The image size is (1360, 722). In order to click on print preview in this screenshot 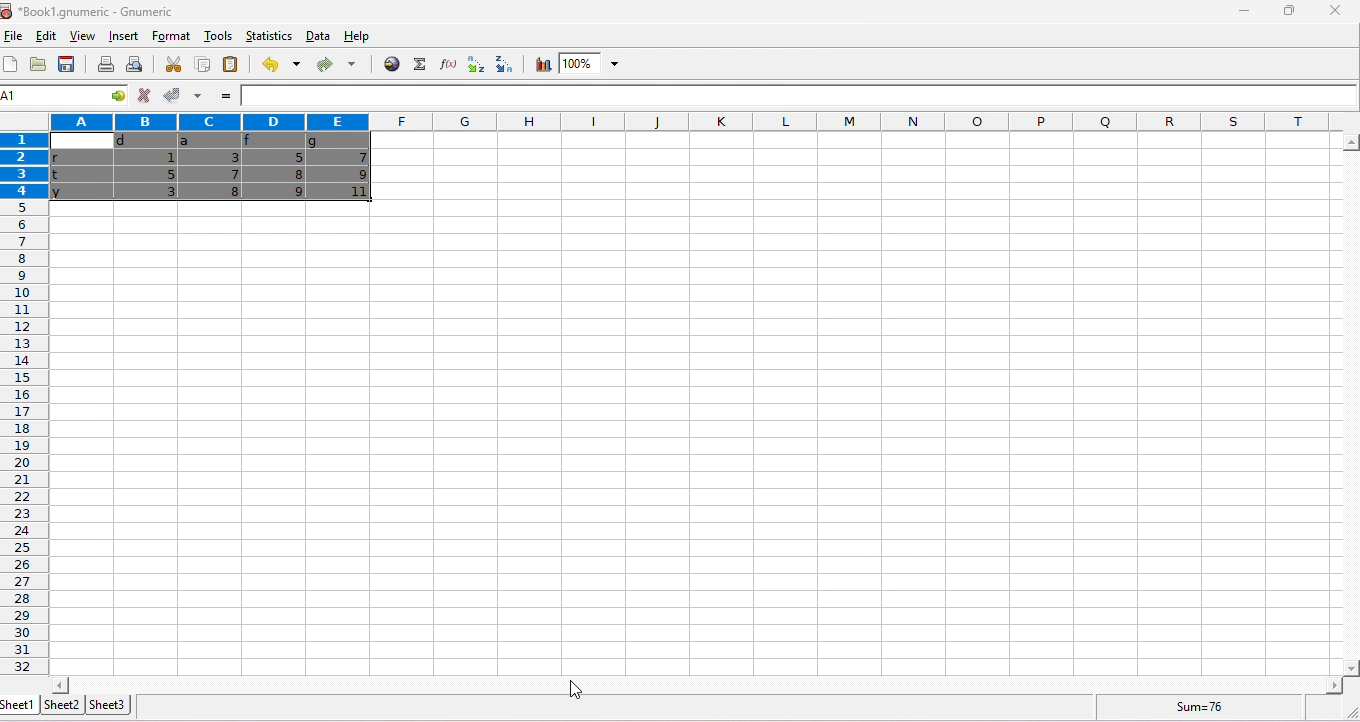, I will do `click(133, 65)`.